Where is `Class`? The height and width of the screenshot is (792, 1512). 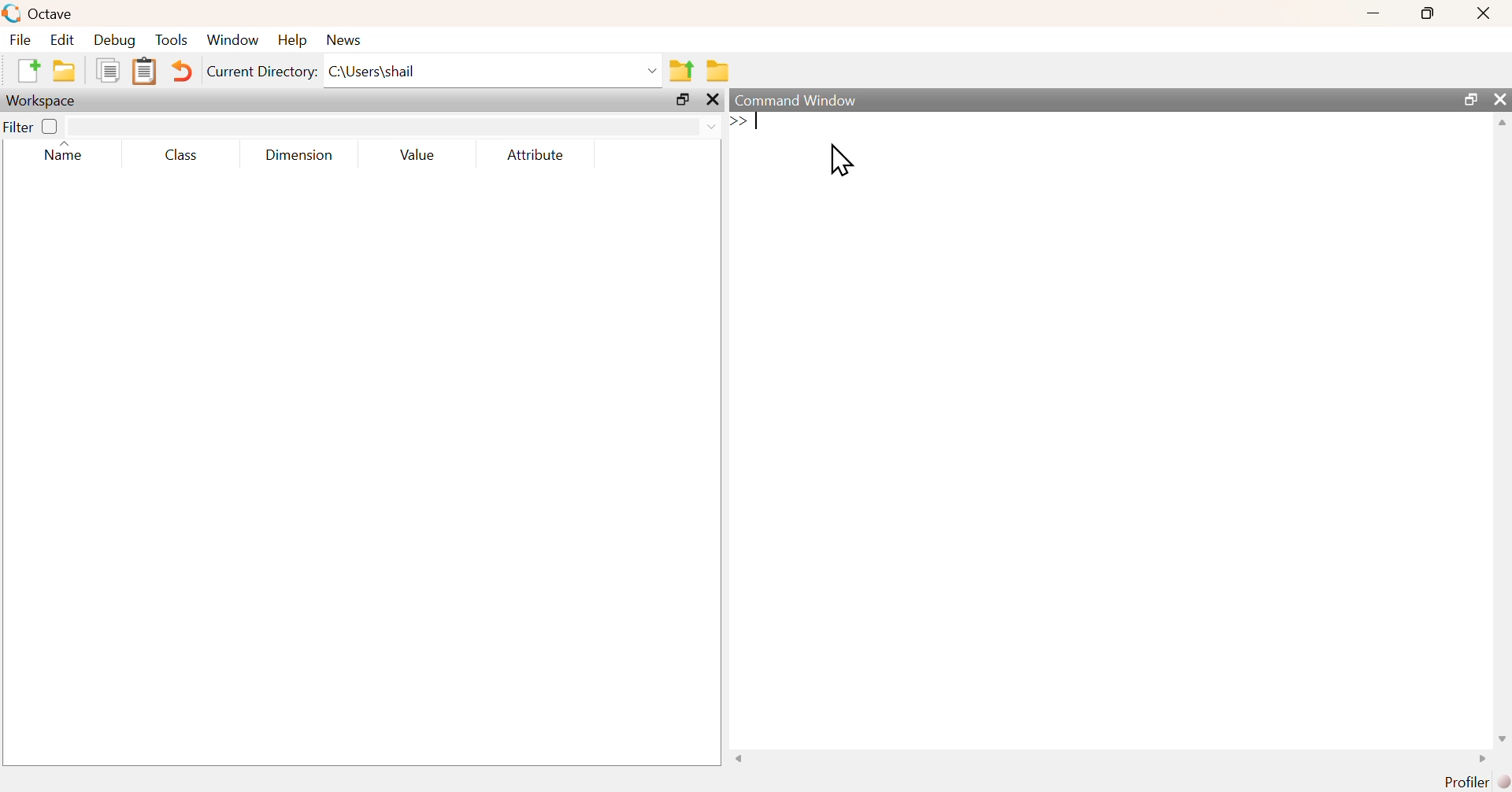 Class is located at coordinates (177, 156).